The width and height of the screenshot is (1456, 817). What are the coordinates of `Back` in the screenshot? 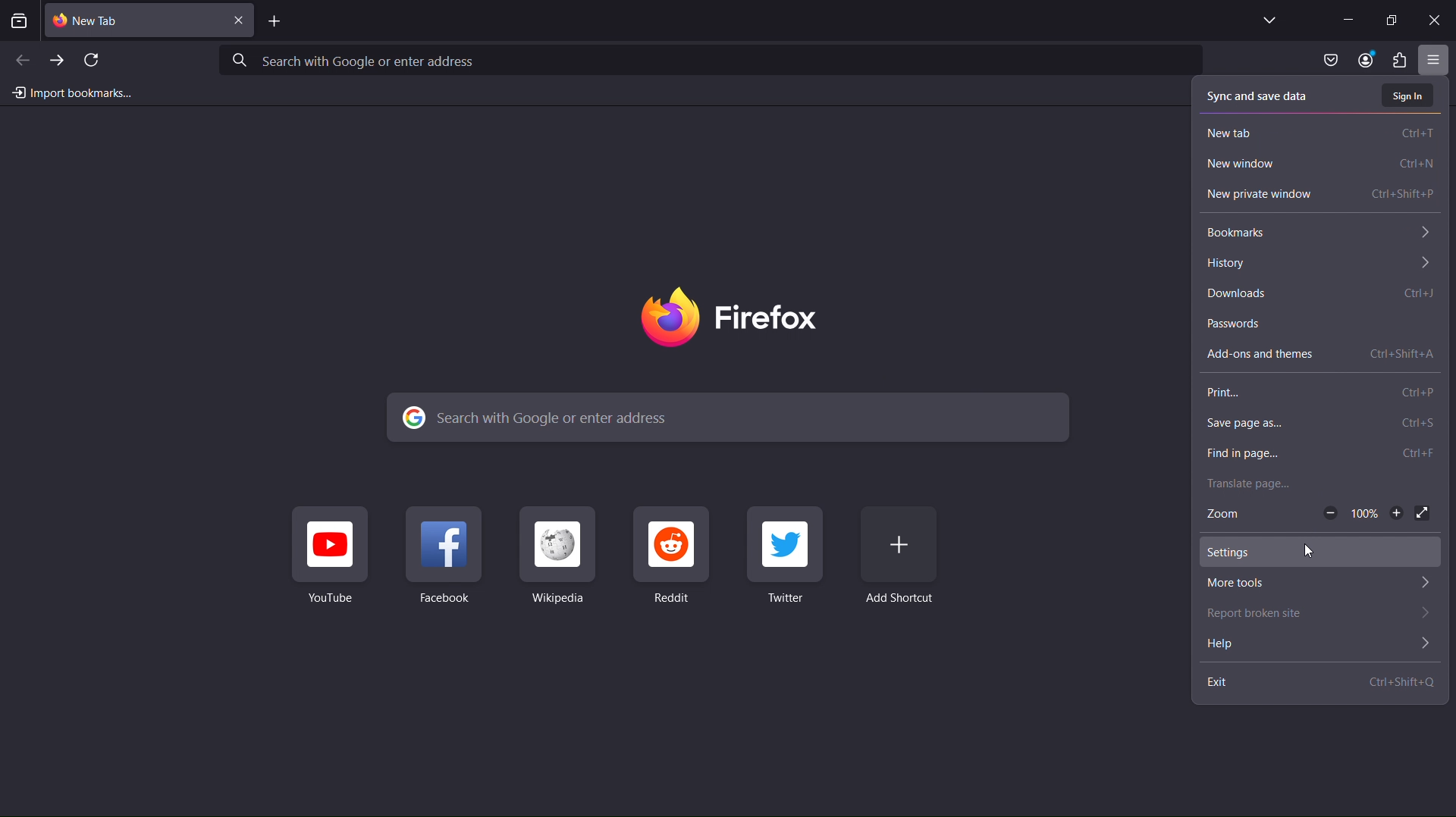 It's located at (18, 62).